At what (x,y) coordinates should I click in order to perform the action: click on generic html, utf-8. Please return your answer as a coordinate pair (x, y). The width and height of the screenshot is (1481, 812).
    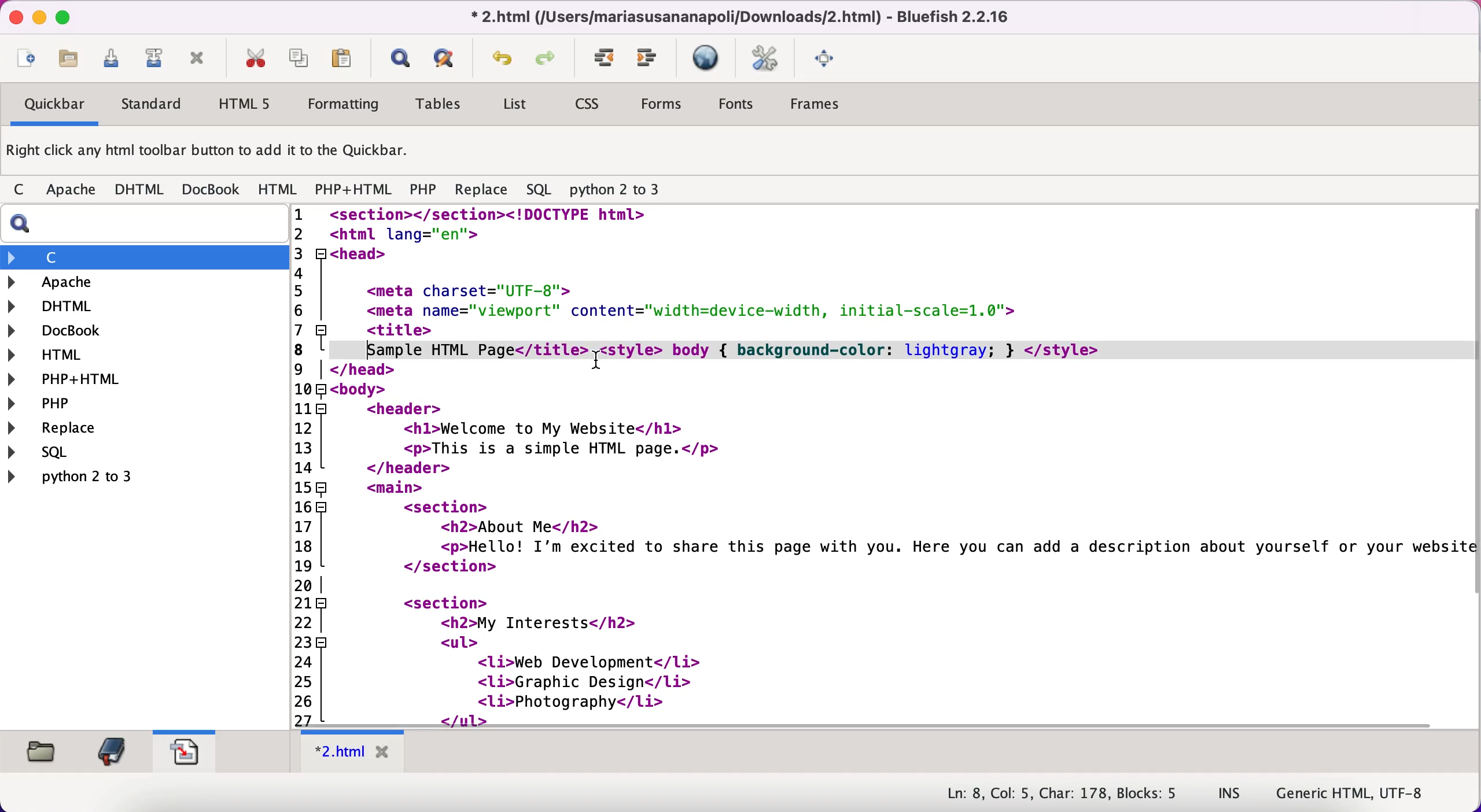
    Looking at the image, I should click on (1361, 792).